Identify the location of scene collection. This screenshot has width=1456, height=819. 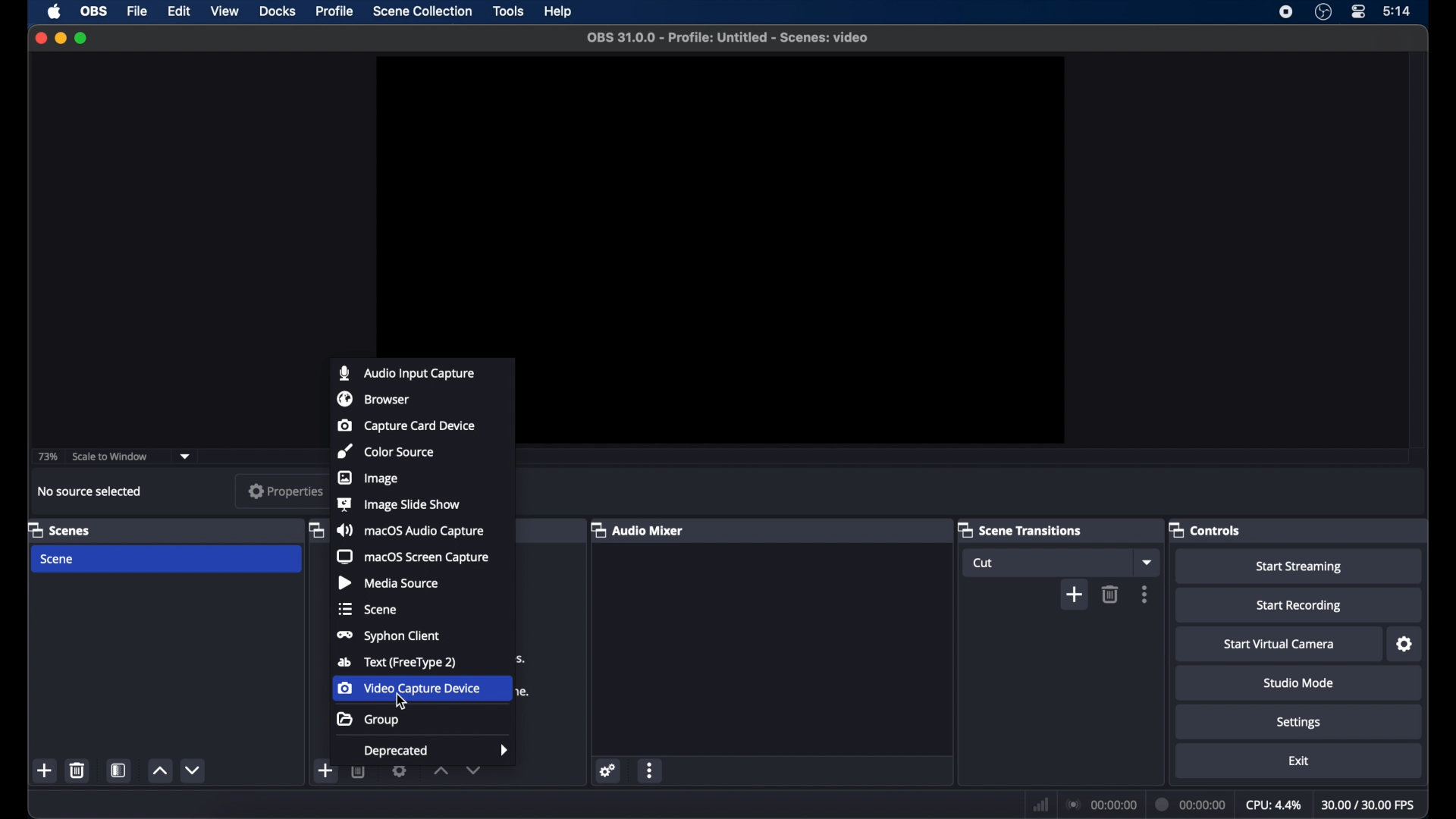
(422, 11).